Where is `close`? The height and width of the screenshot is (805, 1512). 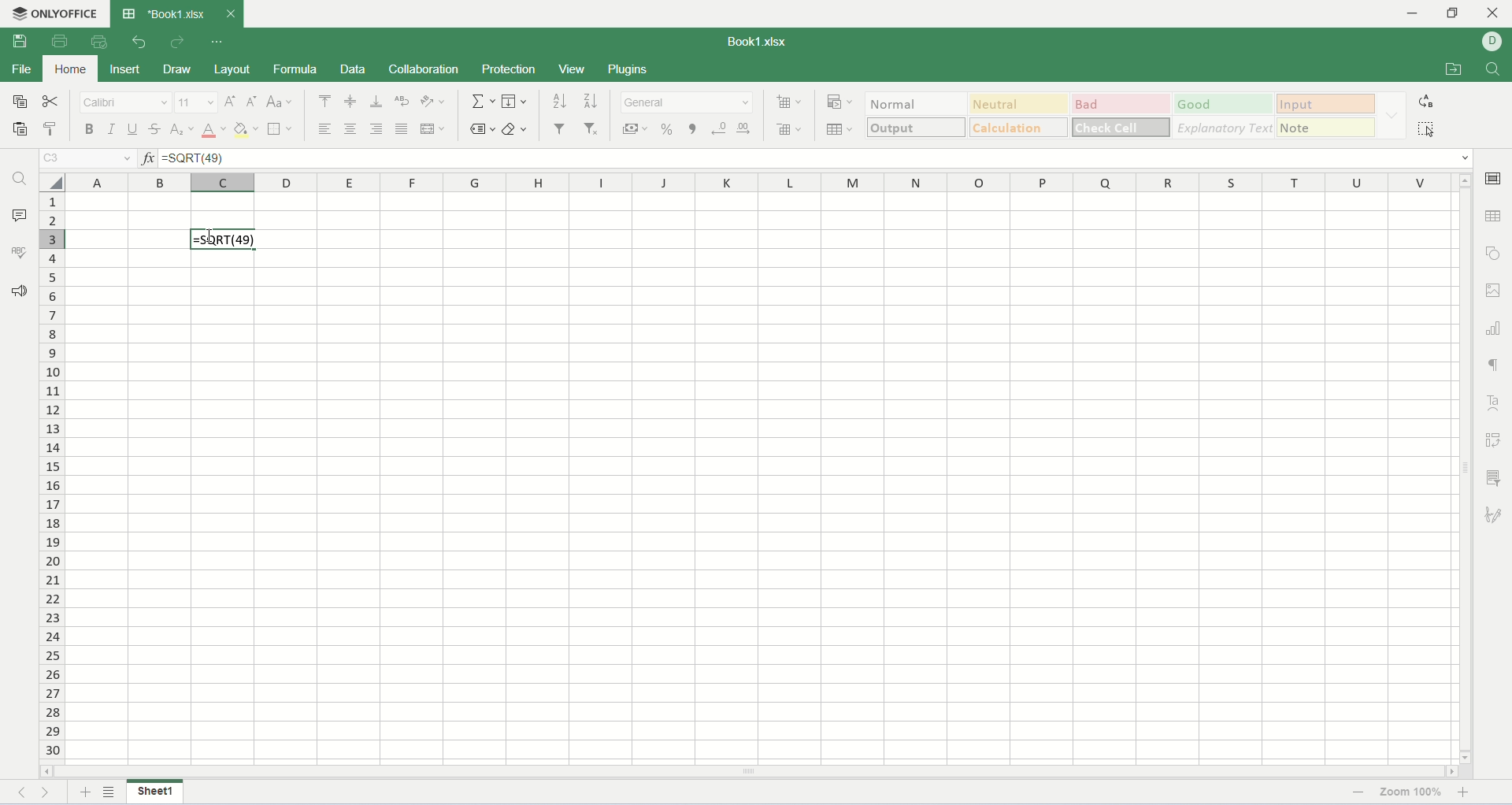 close is located at coordinates (1495, 12).